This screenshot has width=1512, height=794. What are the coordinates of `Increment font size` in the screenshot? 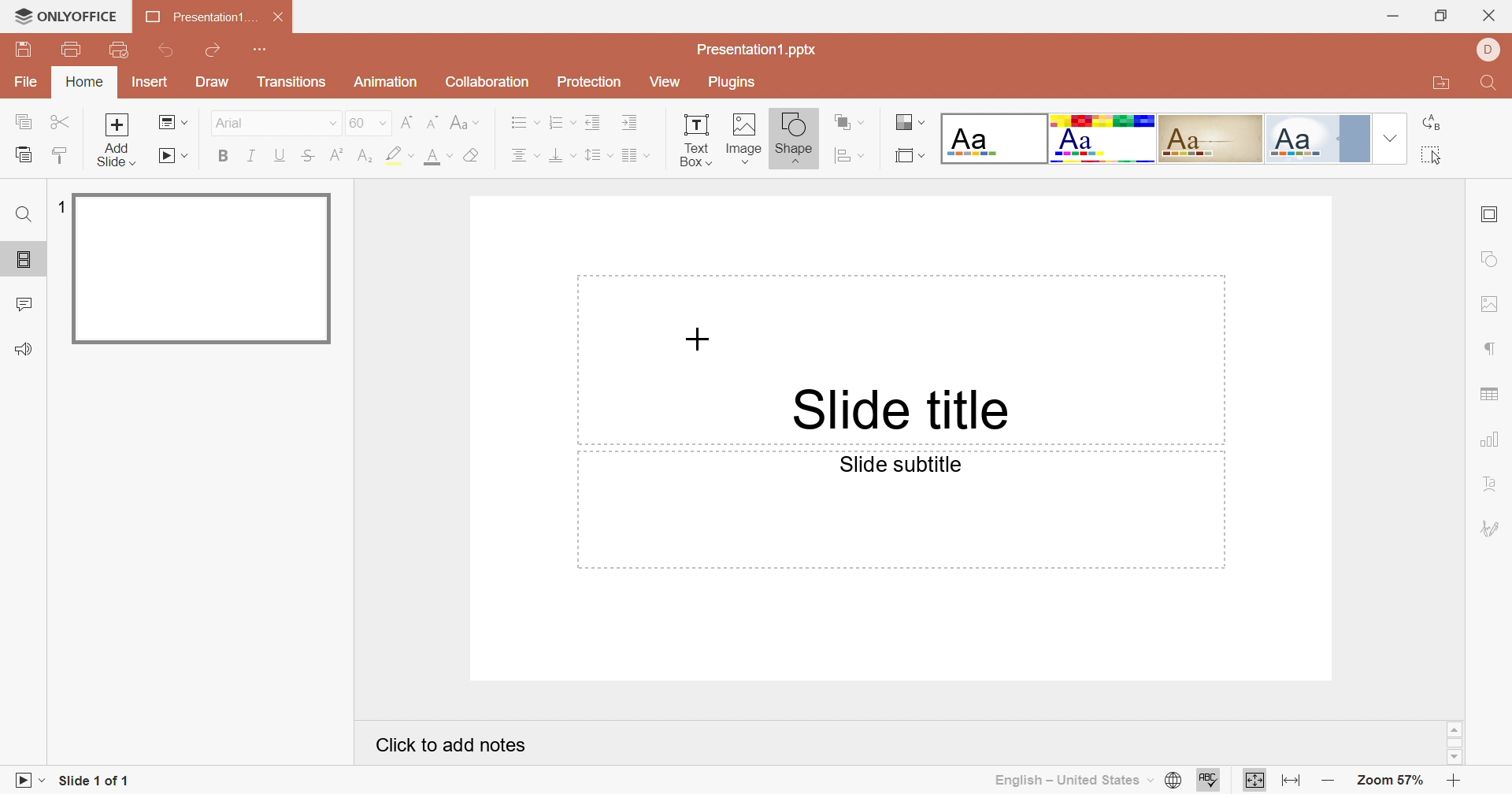 It's located at (409, 122).